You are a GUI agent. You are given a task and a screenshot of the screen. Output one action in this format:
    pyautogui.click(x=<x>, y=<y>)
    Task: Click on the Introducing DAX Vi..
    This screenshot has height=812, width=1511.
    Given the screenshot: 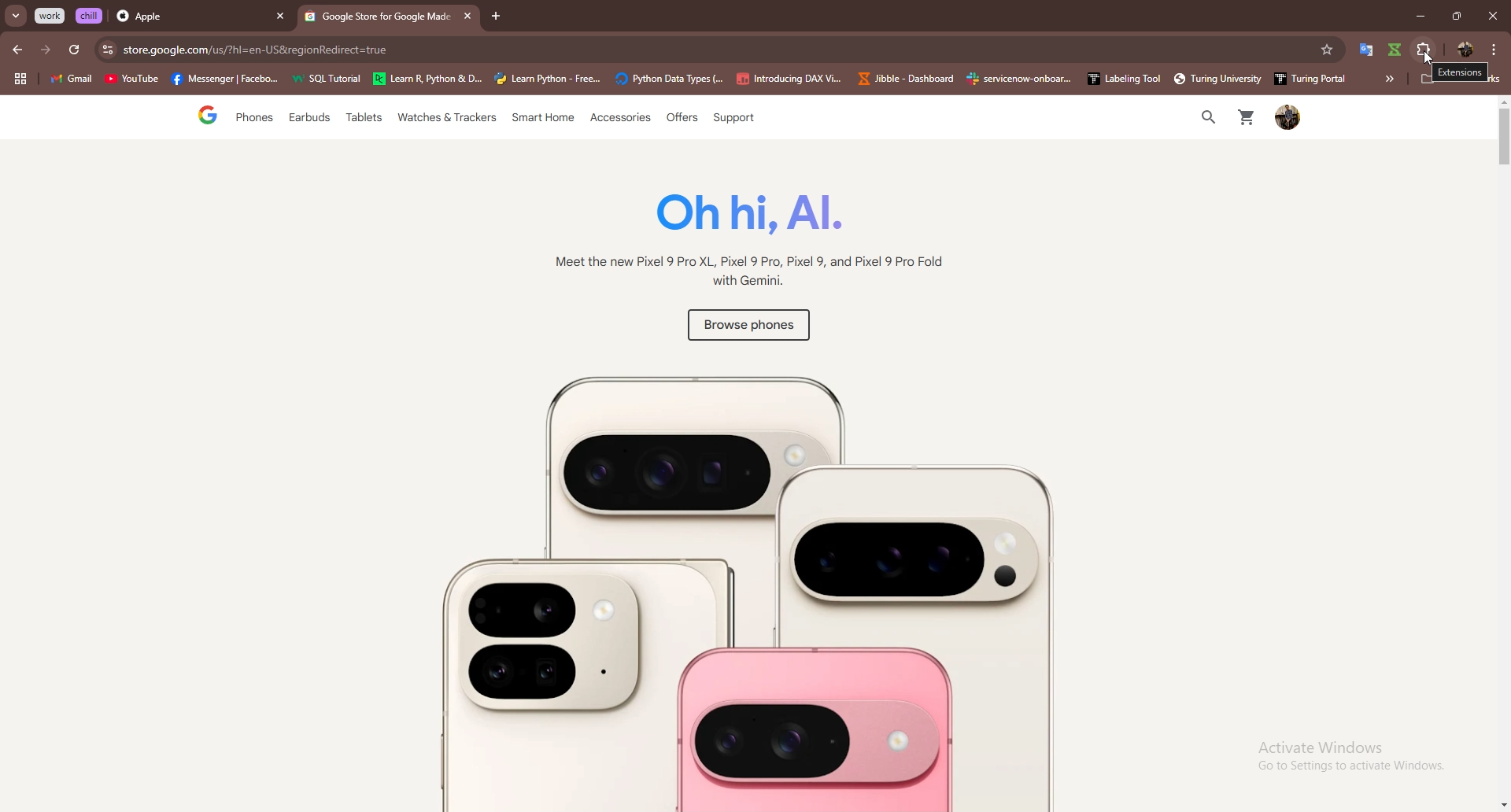 What is the action you would take?
    pyautogui.click(x=789, y=79)
    